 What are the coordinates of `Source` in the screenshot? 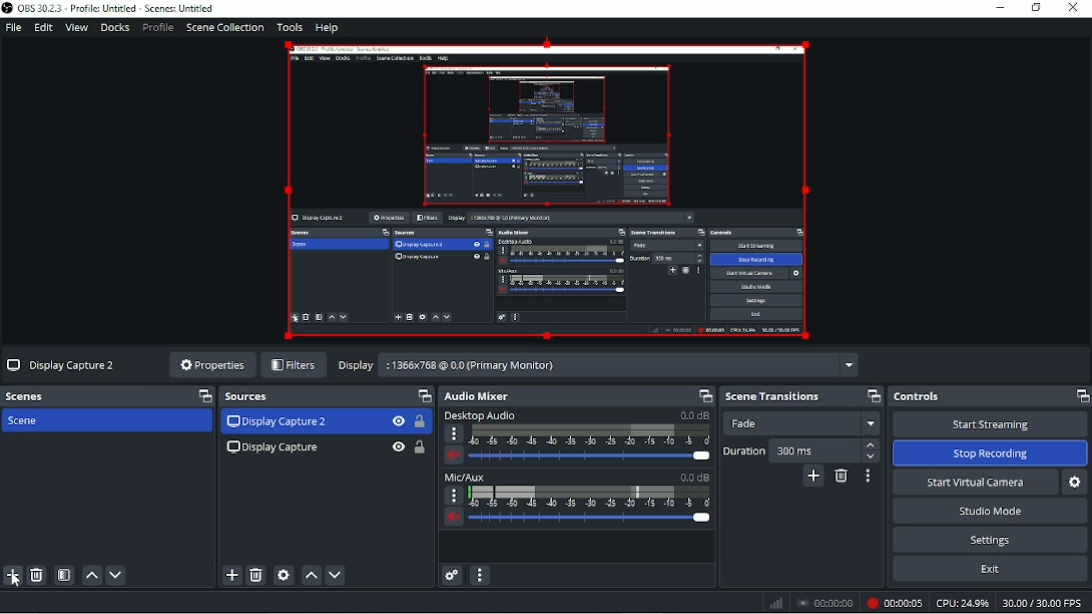 It's located at (256, 397).